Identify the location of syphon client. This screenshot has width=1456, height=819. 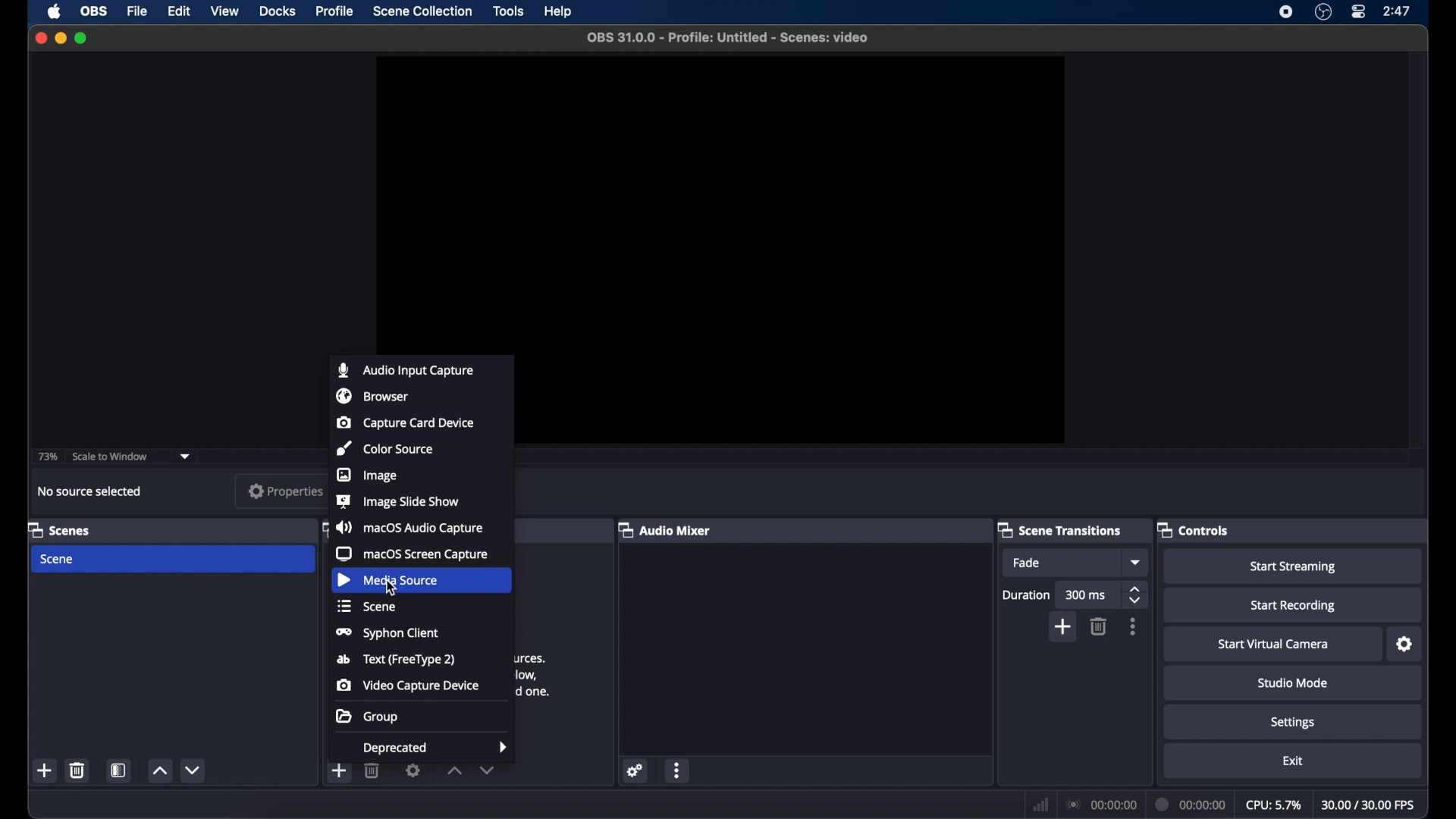
(388, 634).